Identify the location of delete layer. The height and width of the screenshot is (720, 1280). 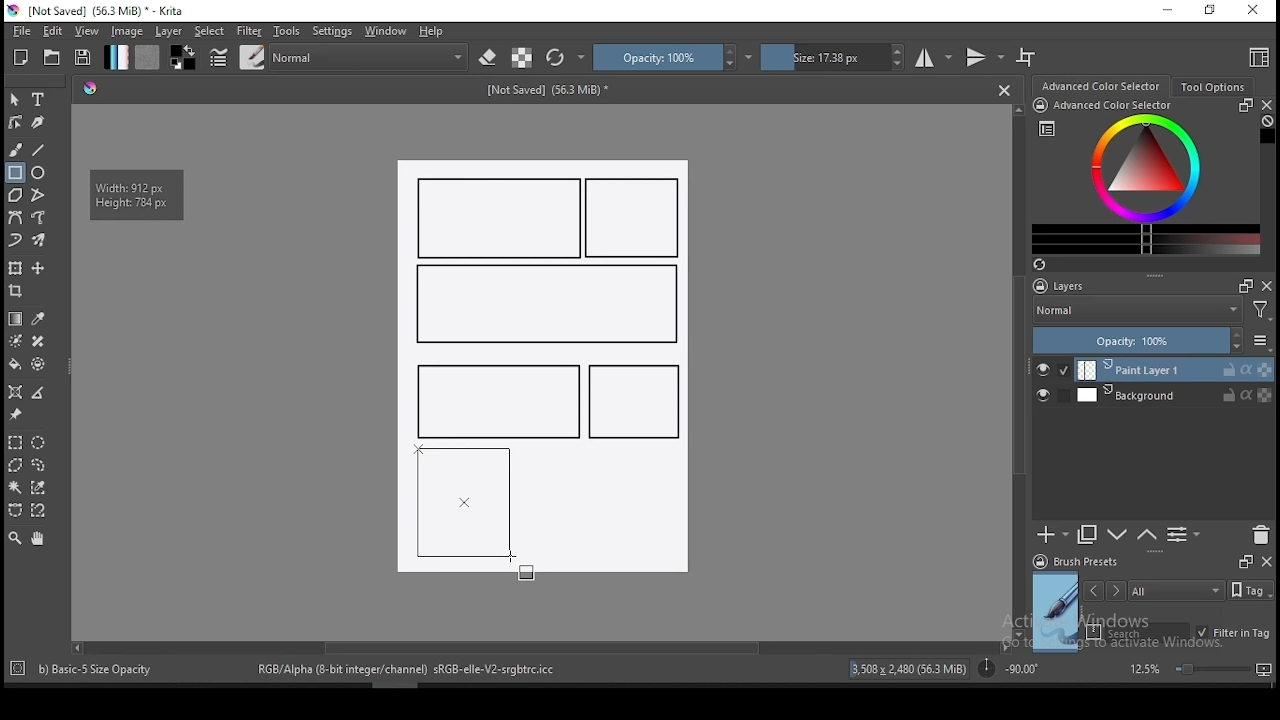
(1260, 536).